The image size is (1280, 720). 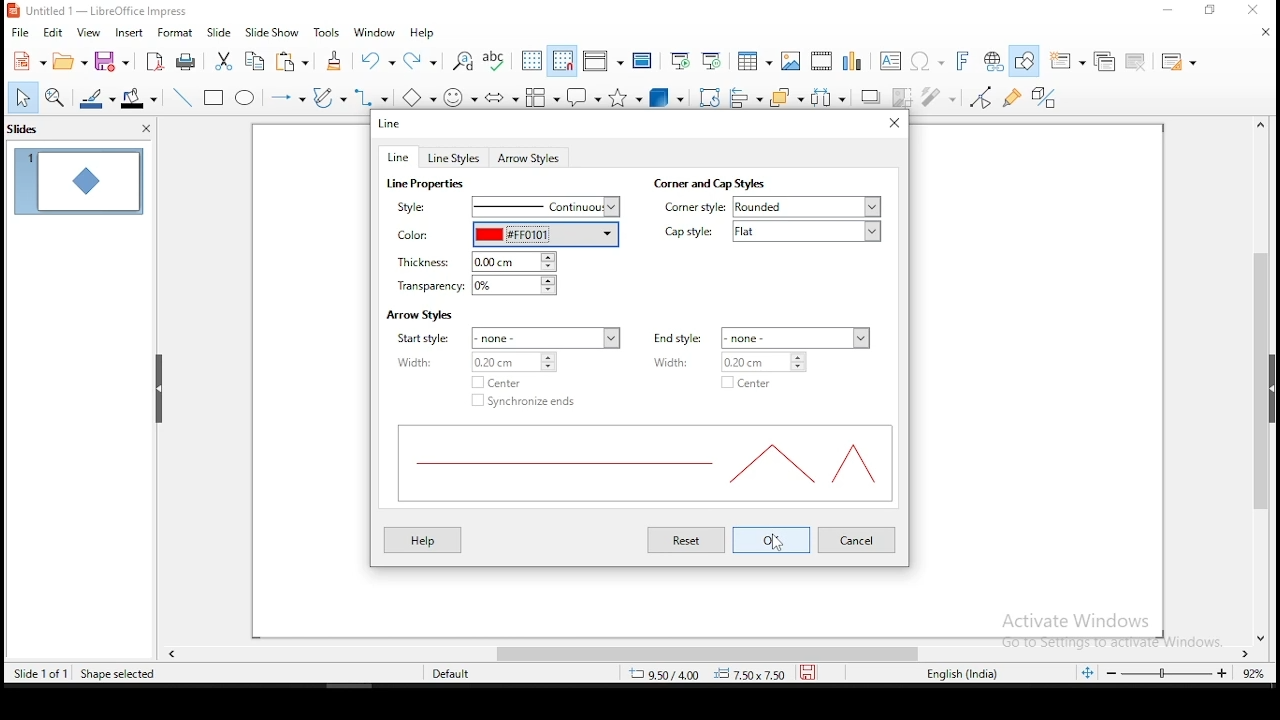 I want to click on lines and arrows, so click(x=291, y=100).